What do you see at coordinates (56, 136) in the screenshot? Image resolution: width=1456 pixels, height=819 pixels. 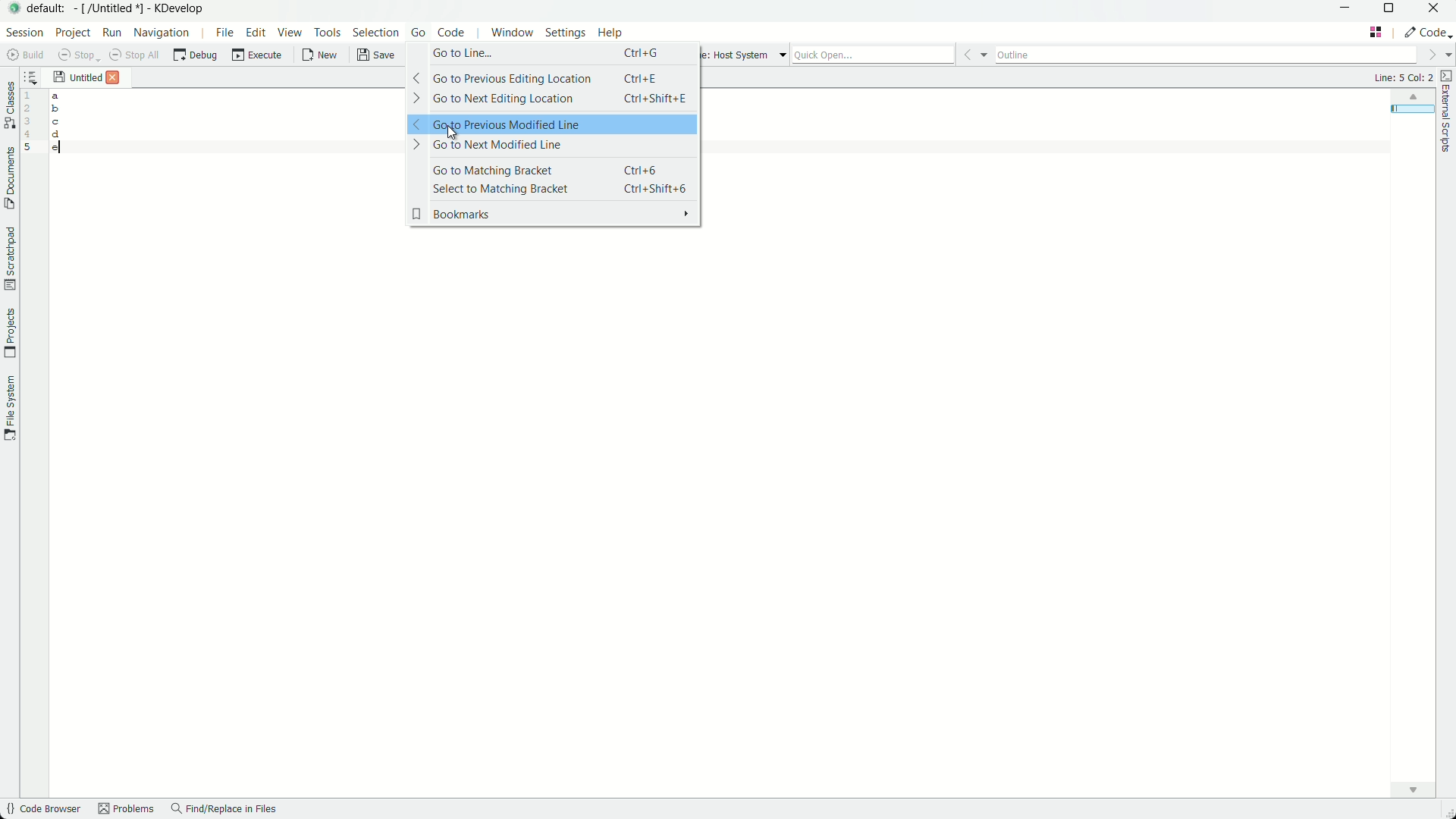 I see `d` at bounding box center [56, 136].